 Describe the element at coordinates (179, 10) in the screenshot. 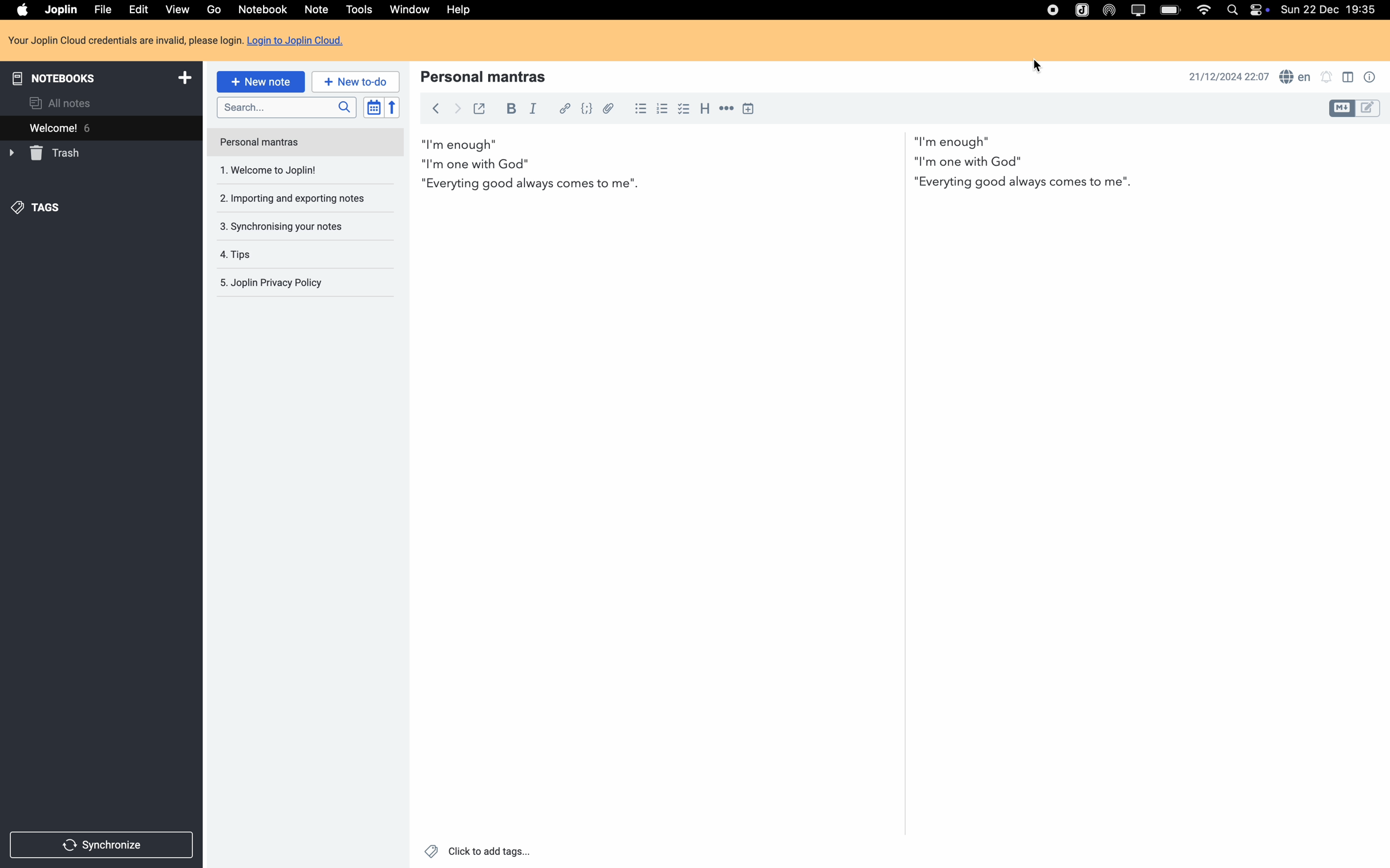

I see `view` at that location.